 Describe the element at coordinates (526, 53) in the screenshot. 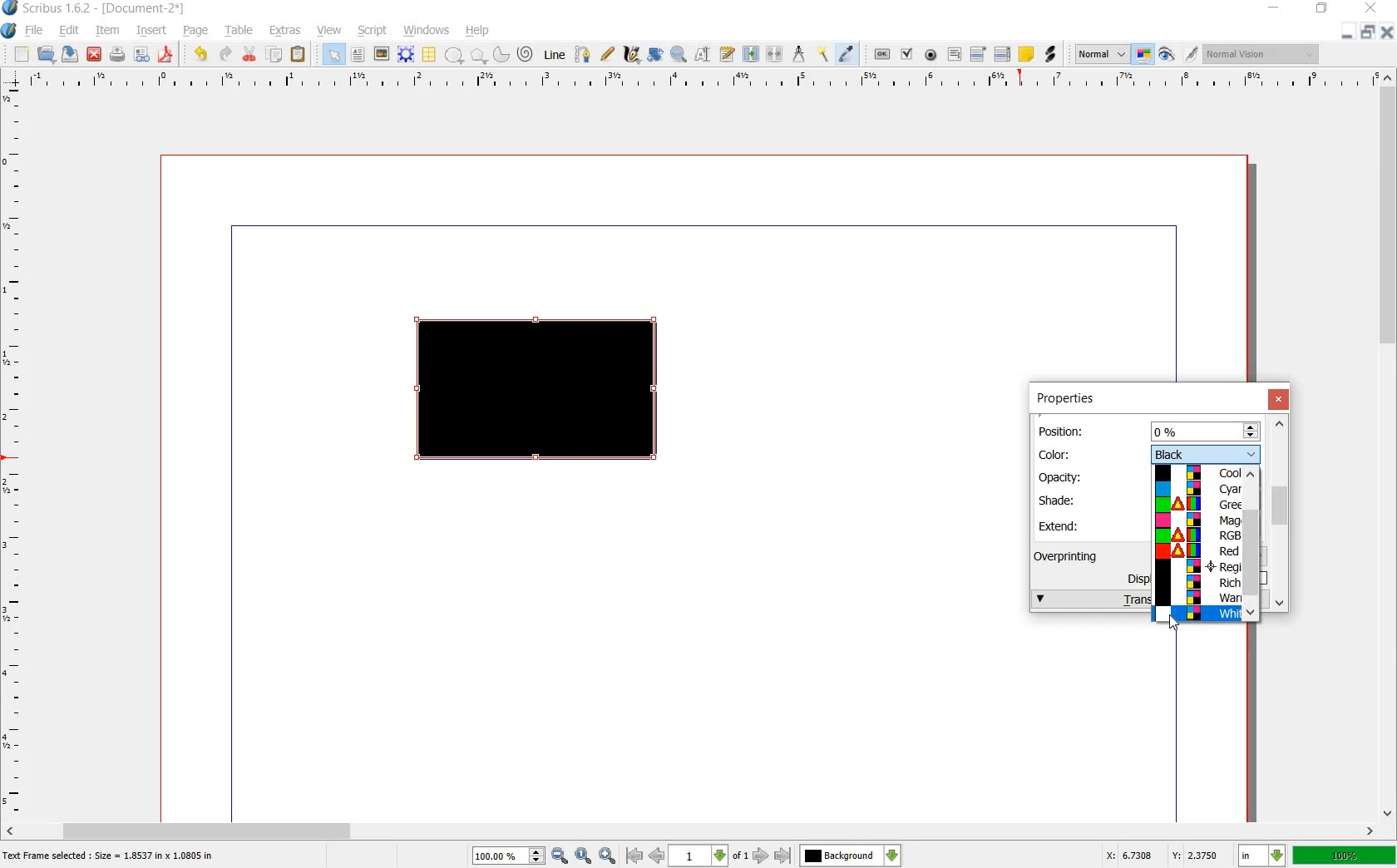

I see `spiral` at that location.